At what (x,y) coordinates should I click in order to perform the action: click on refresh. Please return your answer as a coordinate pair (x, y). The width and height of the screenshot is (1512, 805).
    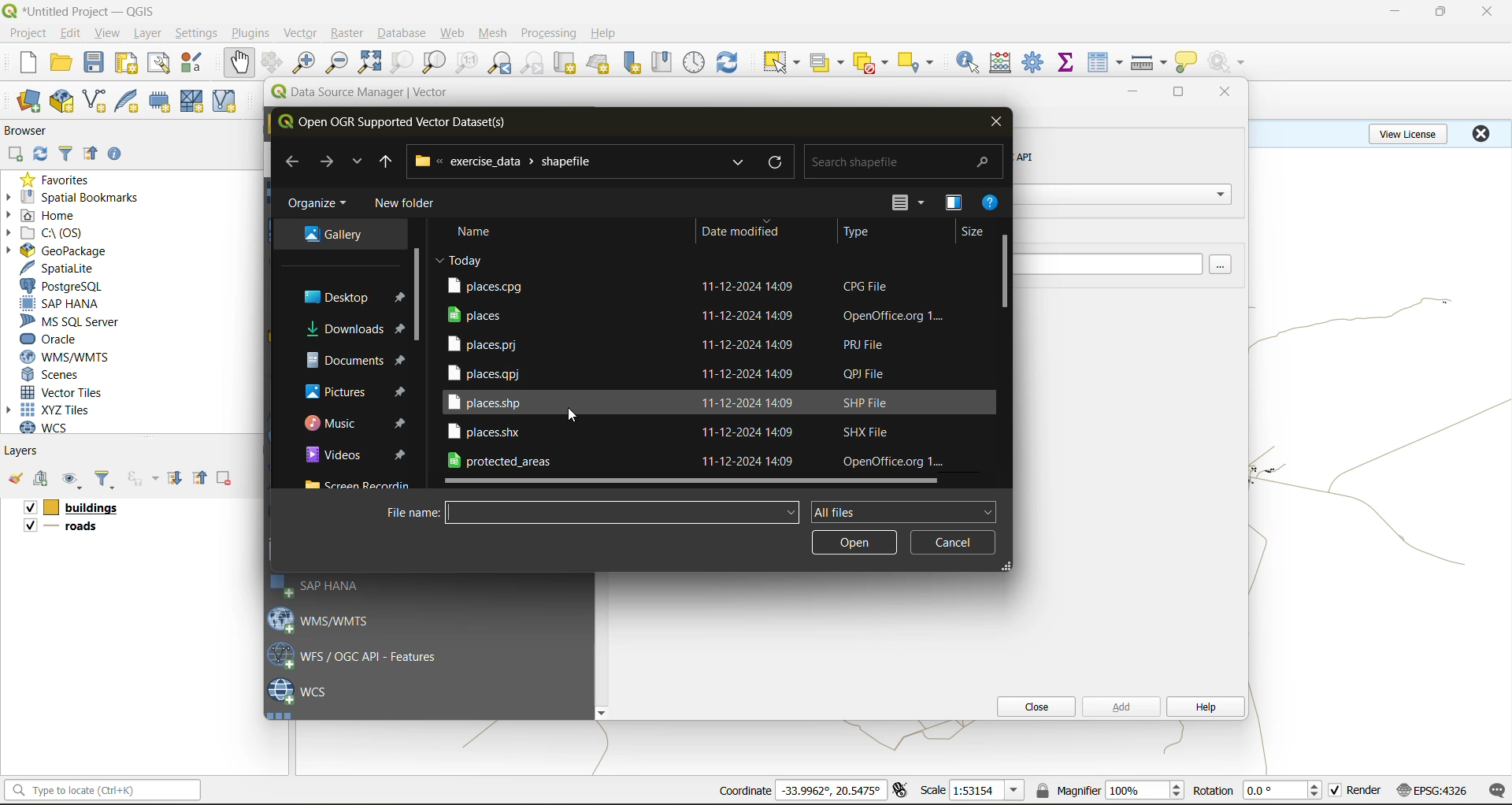
    Looking at the image, I should click on (37, 156).